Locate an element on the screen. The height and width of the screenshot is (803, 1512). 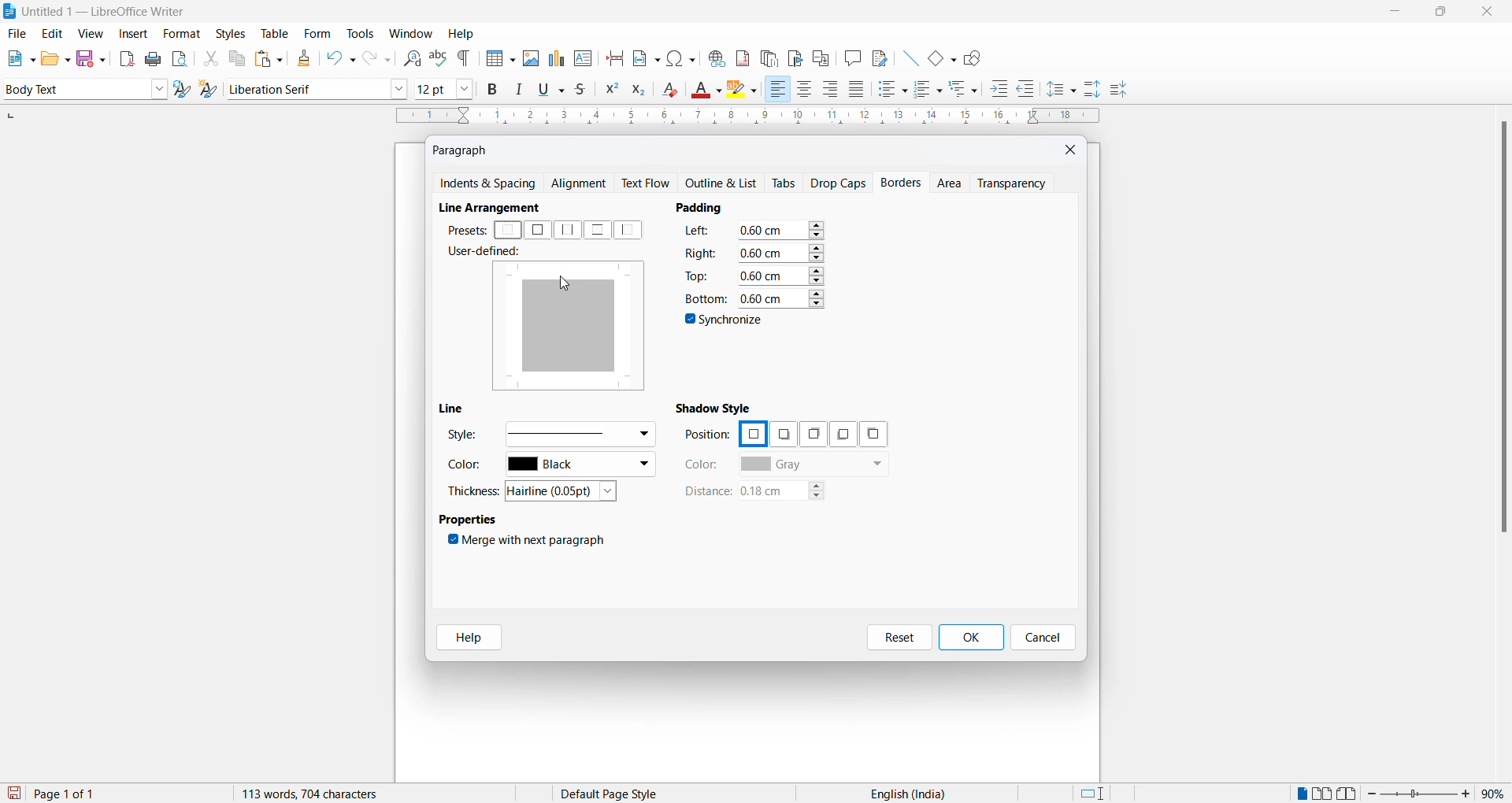
value is located at coordinates (780, 252).